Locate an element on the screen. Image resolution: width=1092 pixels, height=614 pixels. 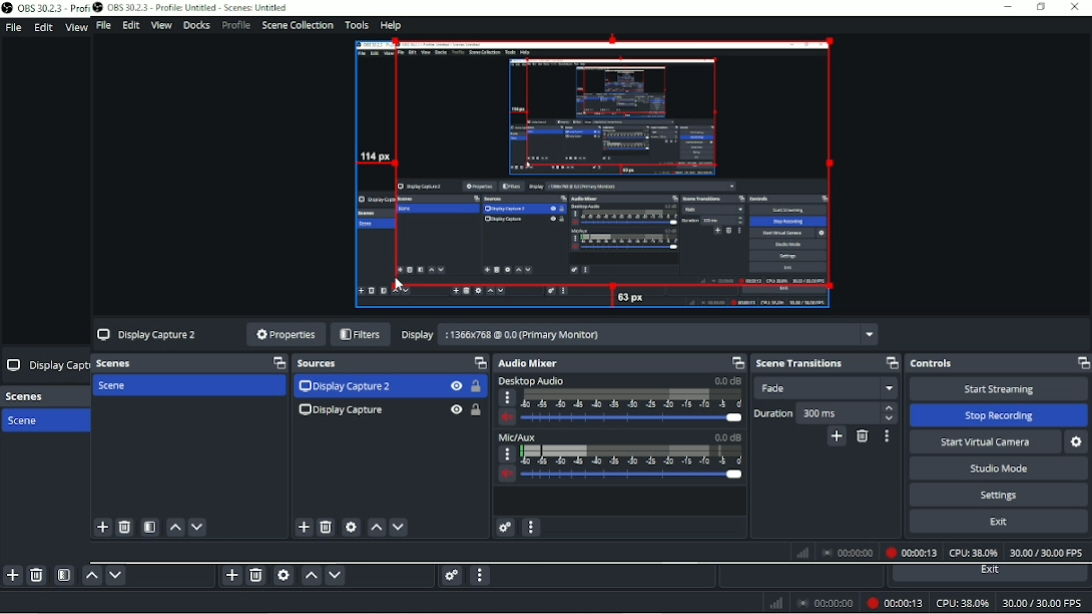
Start Virtual Camera is located at coordinates (983, 440).